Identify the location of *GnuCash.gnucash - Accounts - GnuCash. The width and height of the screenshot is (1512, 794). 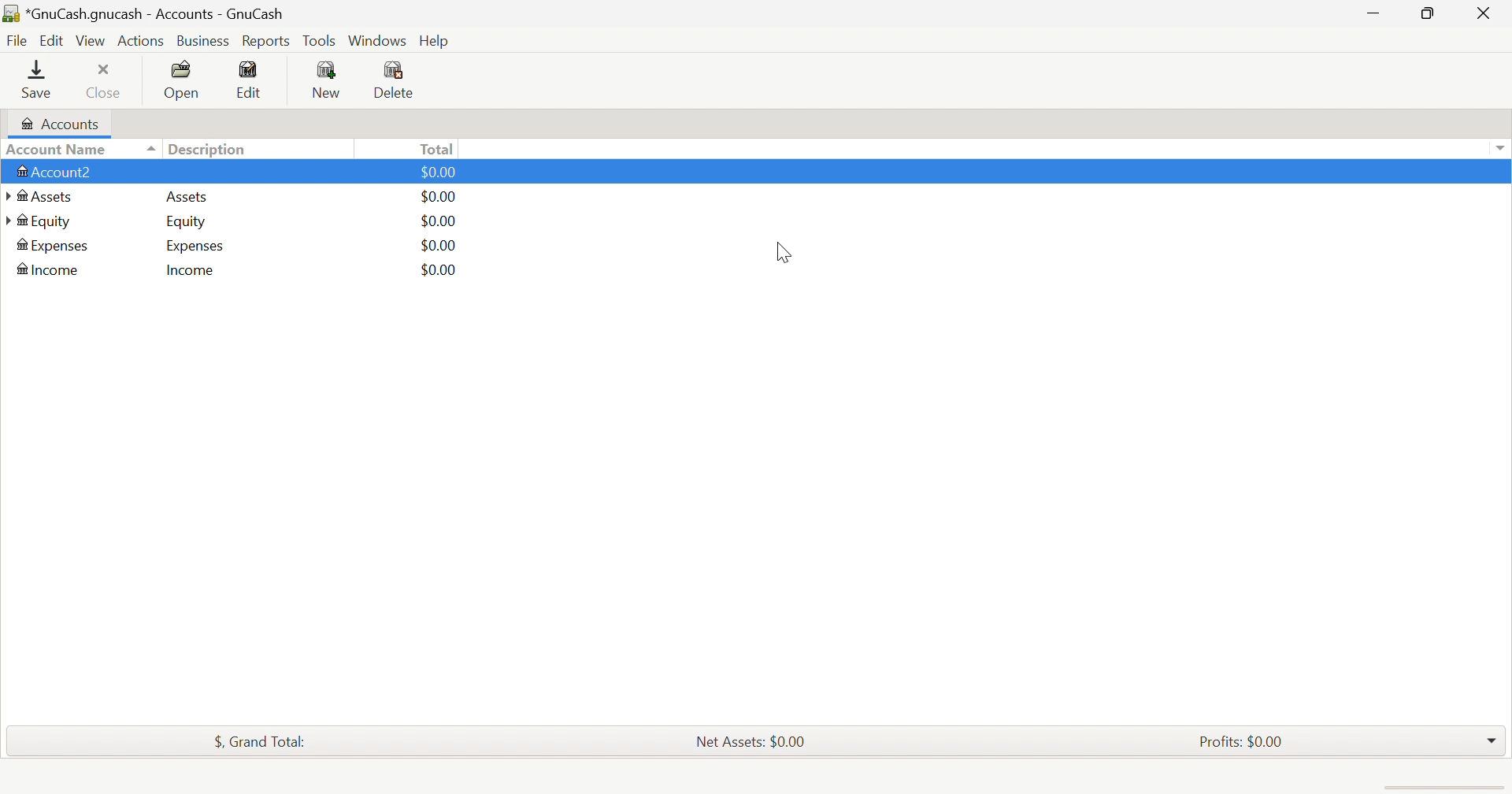
(149, 14).